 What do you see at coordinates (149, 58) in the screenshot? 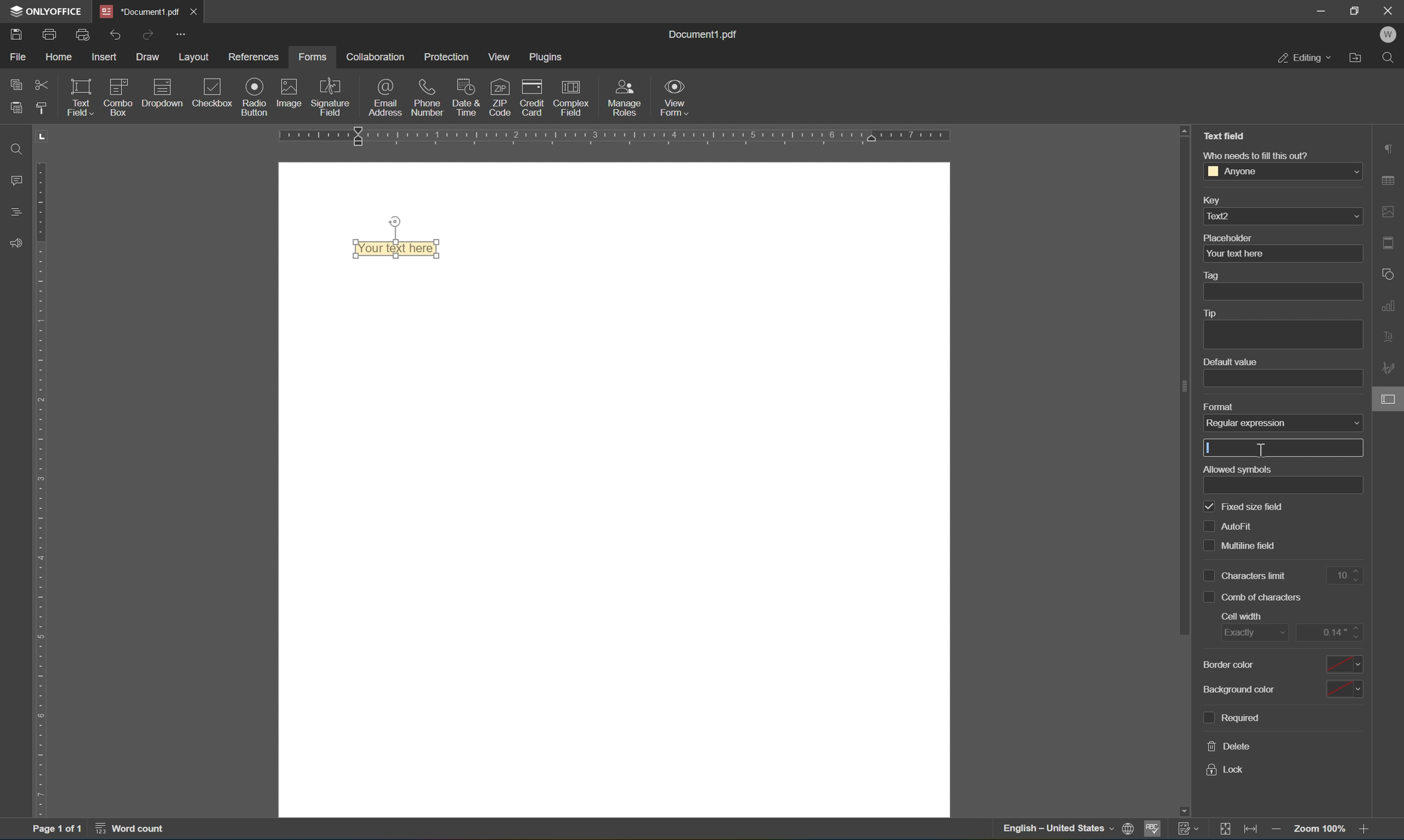
I see `draw` at bounding box center [149, 58].